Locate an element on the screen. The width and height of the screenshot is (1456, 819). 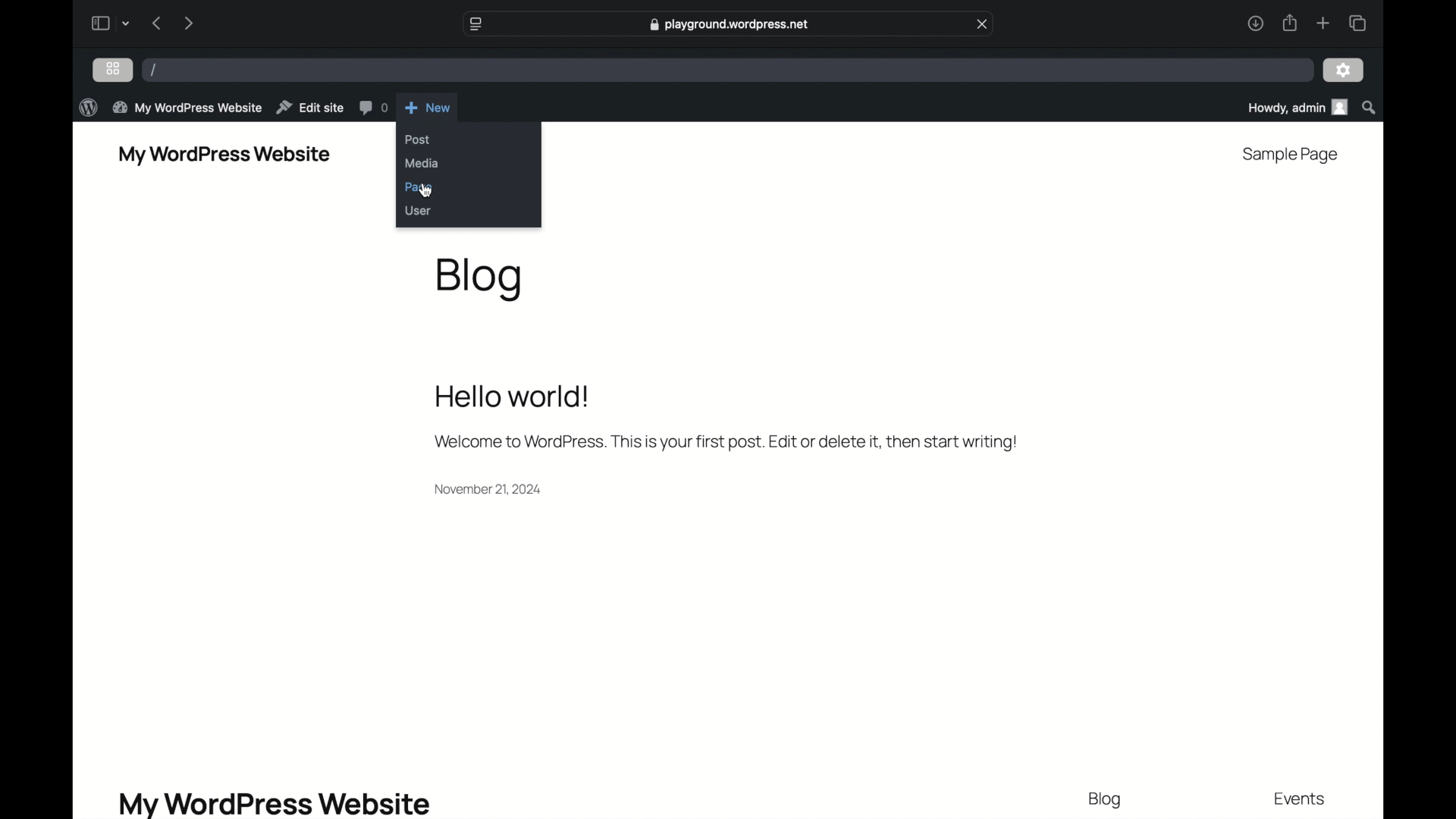
sidebar is located at coordinates (99, 23).